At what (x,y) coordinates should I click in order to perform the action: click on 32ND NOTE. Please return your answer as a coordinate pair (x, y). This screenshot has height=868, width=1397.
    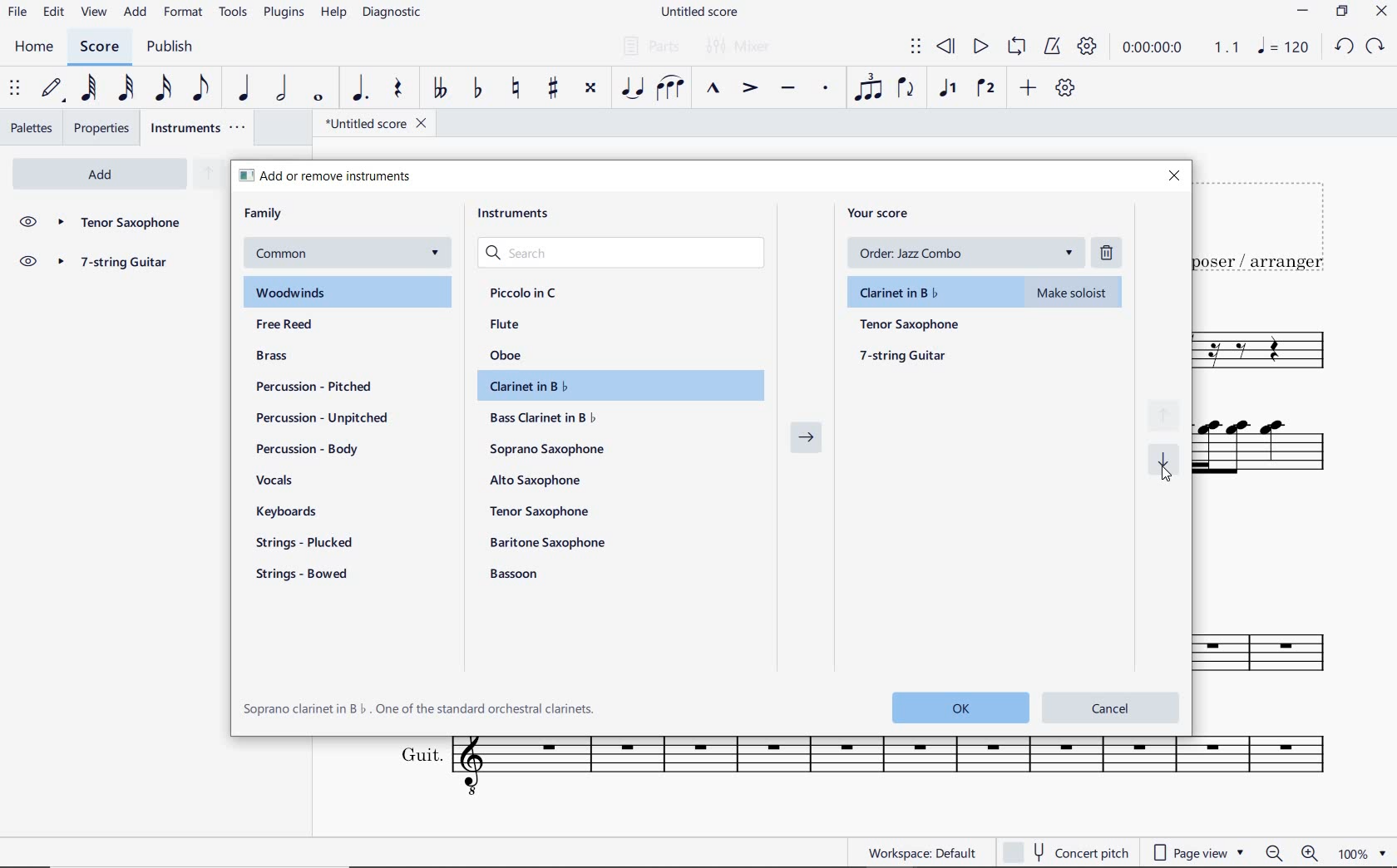
    Looking at the image, I should click on (128, 88).